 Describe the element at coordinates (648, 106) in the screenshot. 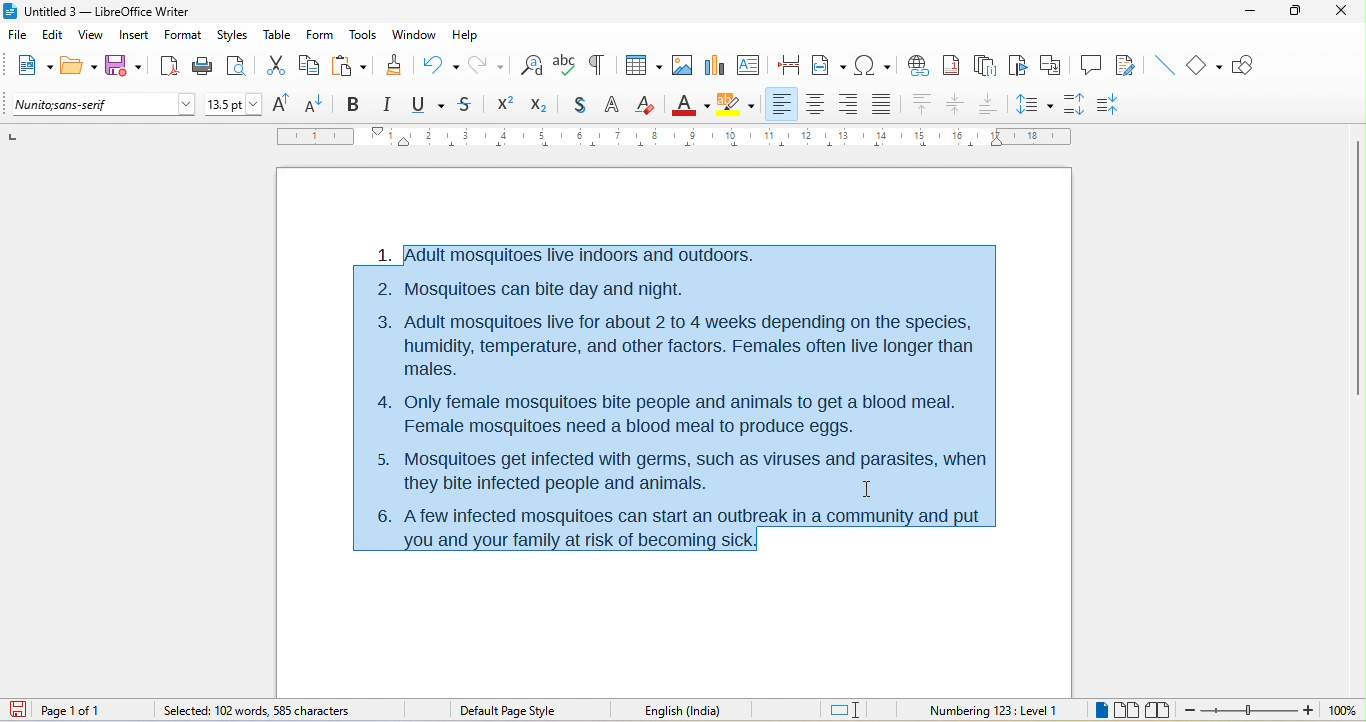

I see `clear direct formatting` at that location.